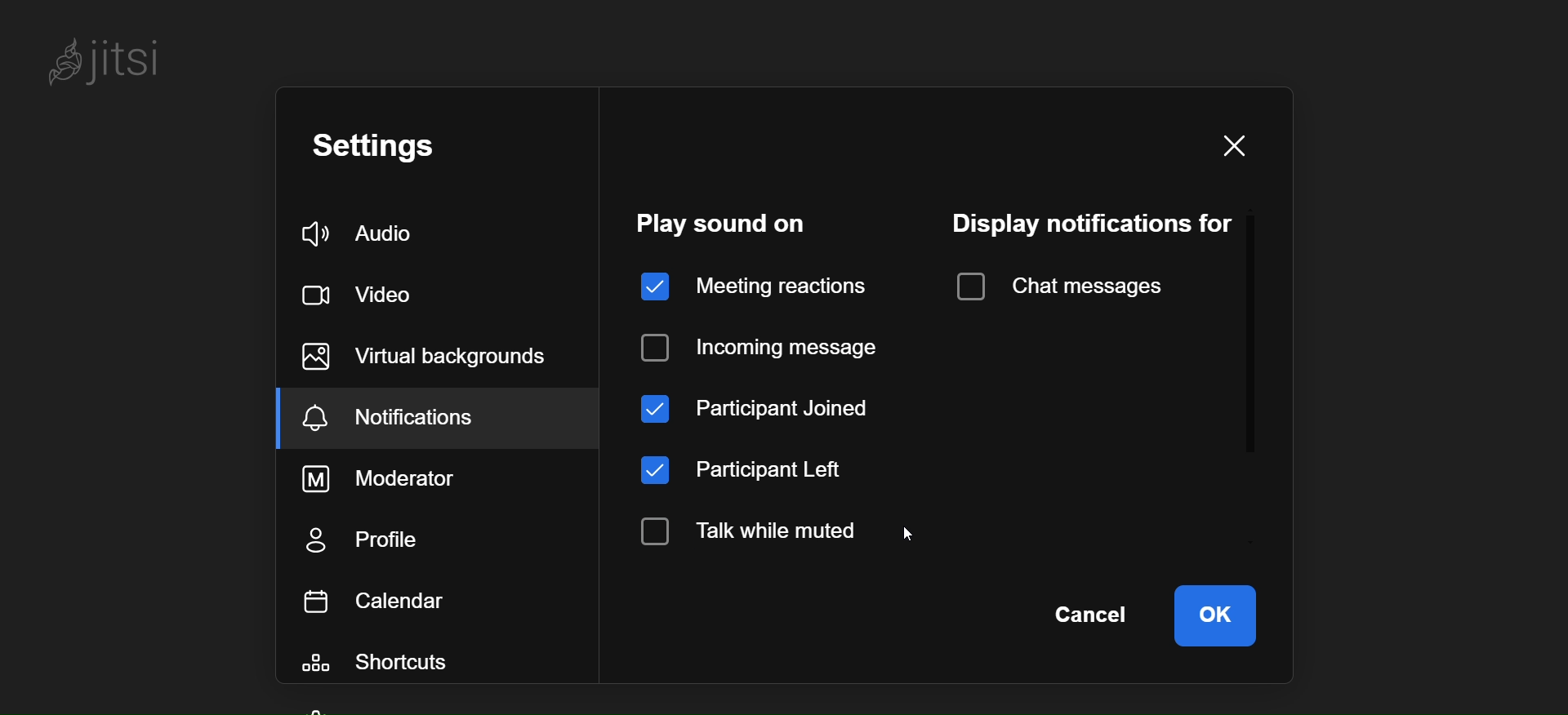 This screenshot has width=1568, height=715. I want to click on cusor, so click(916, 537).